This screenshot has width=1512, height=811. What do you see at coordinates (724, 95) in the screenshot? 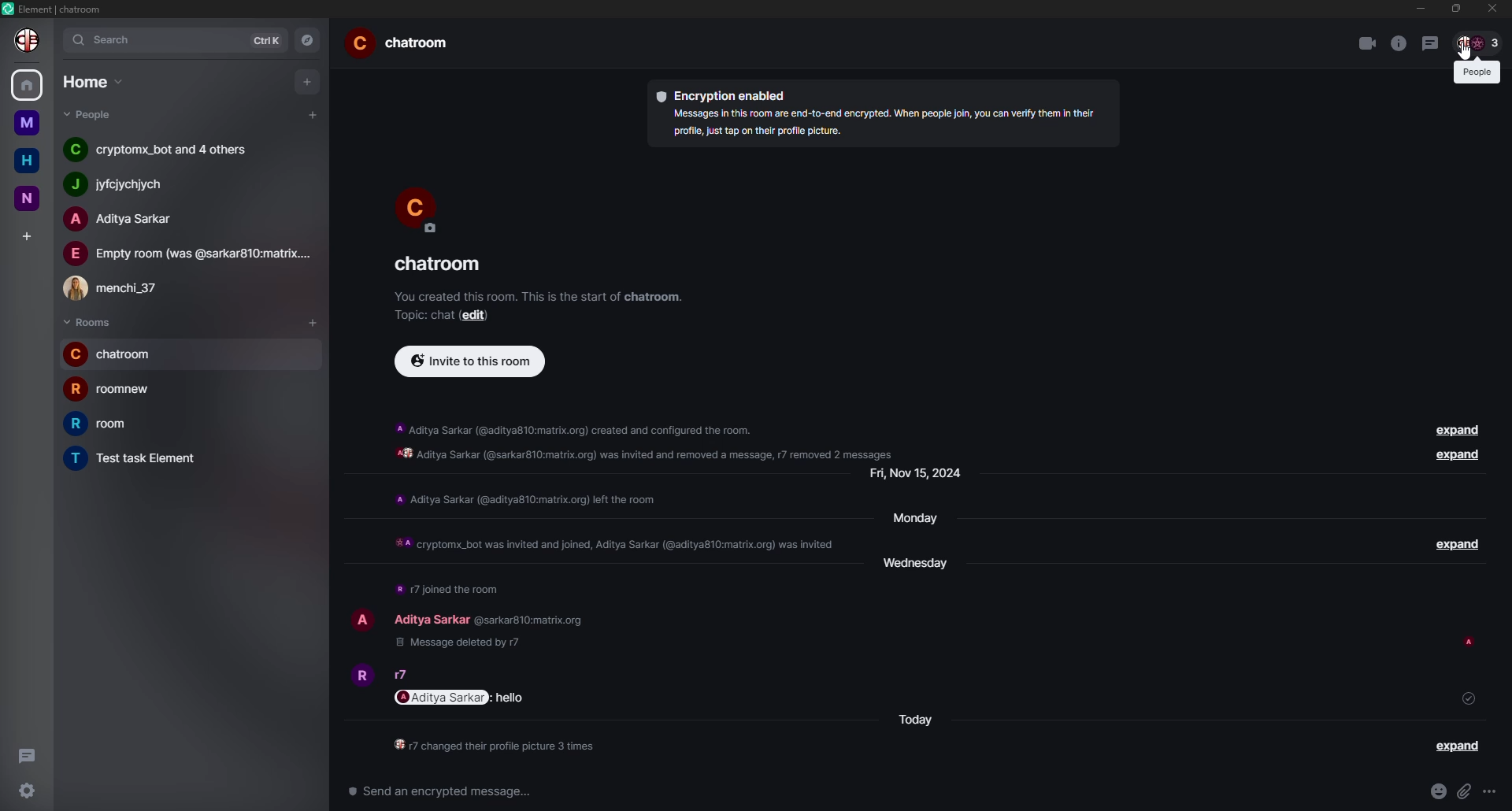
I see `encryption enabled` at bounding box center [724, 95].